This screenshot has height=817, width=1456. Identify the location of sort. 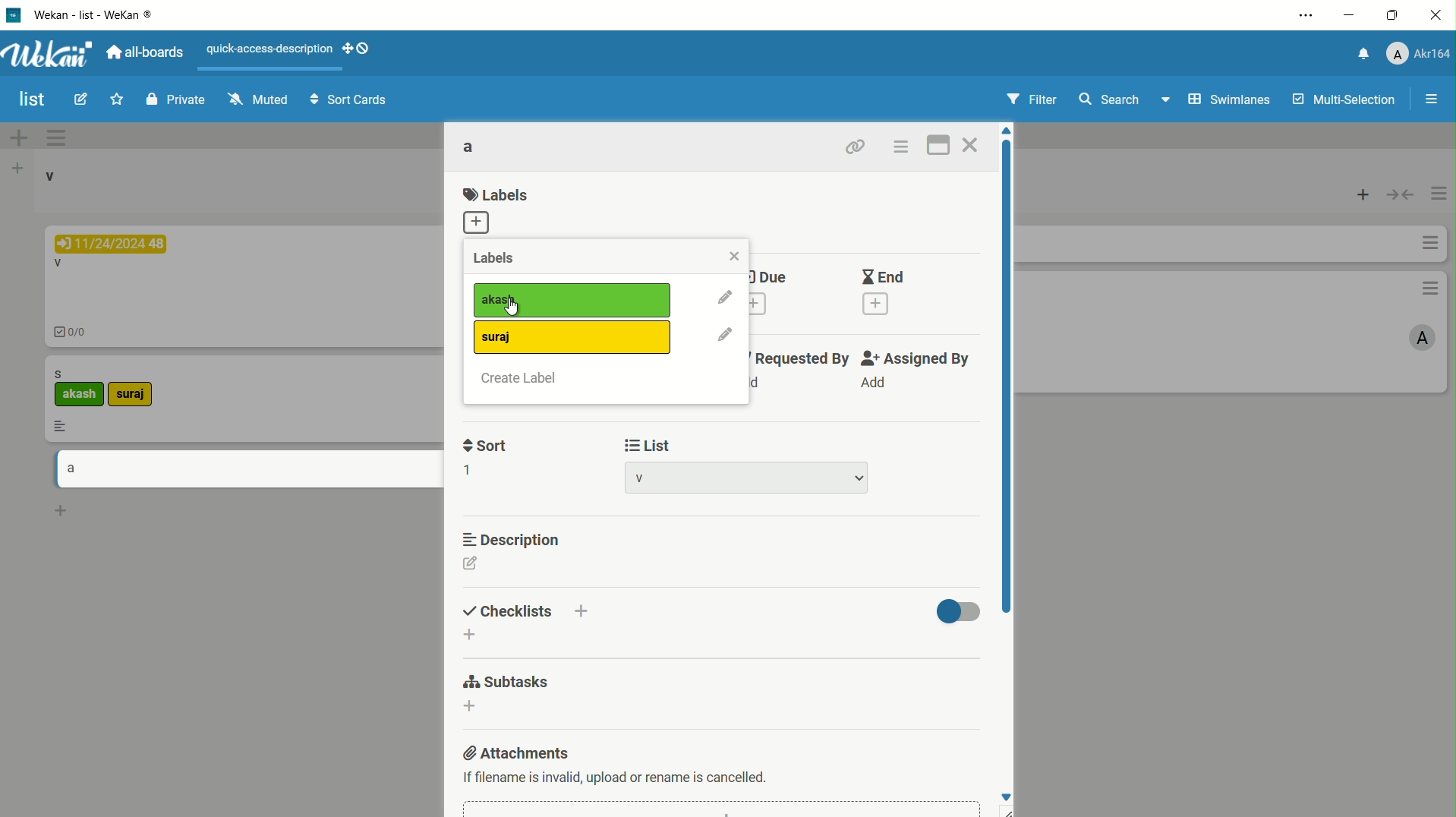
(487, 445).